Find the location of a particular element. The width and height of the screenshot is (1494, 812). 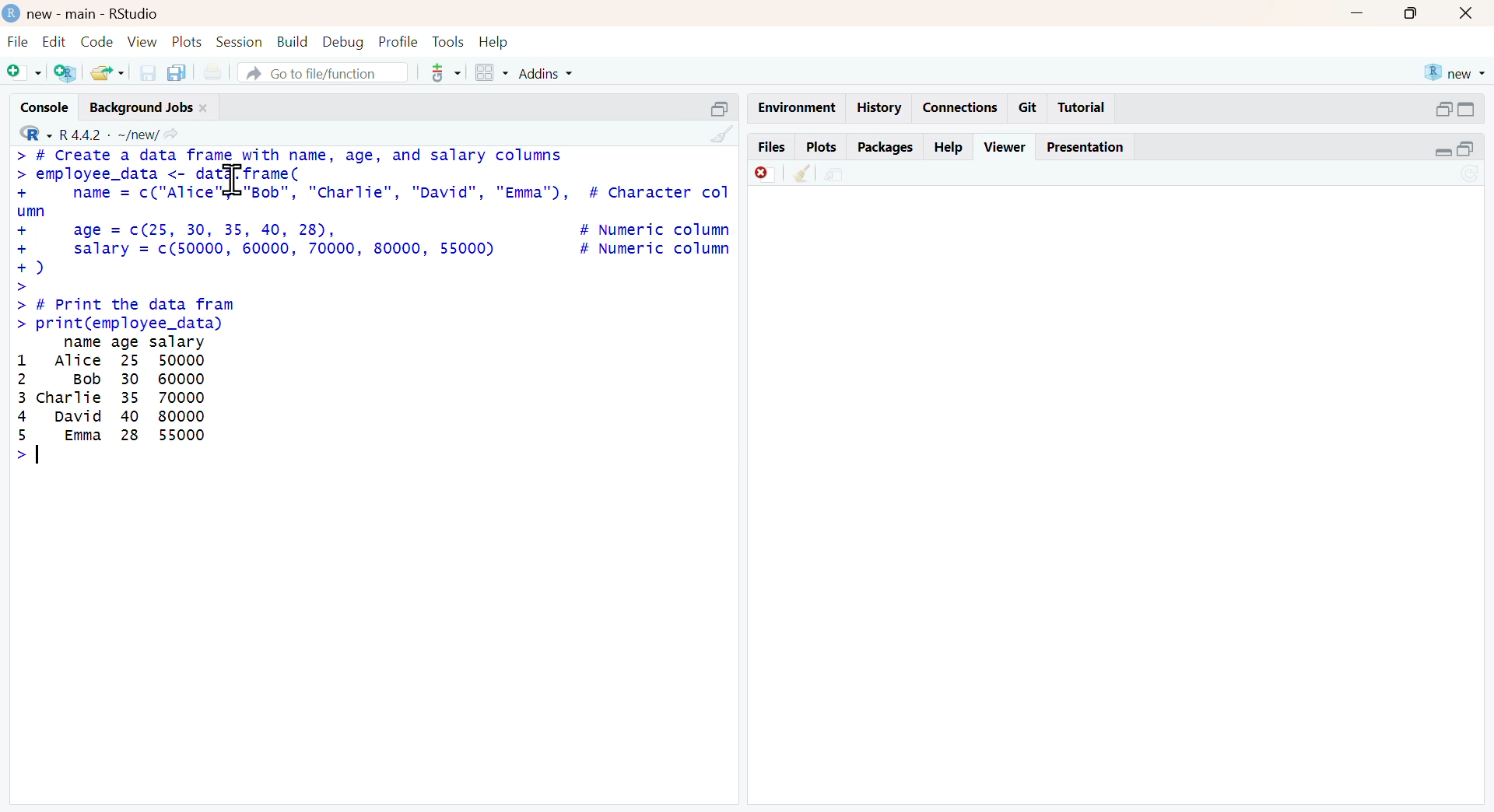

minimise is located at coordinates (1453, 149).